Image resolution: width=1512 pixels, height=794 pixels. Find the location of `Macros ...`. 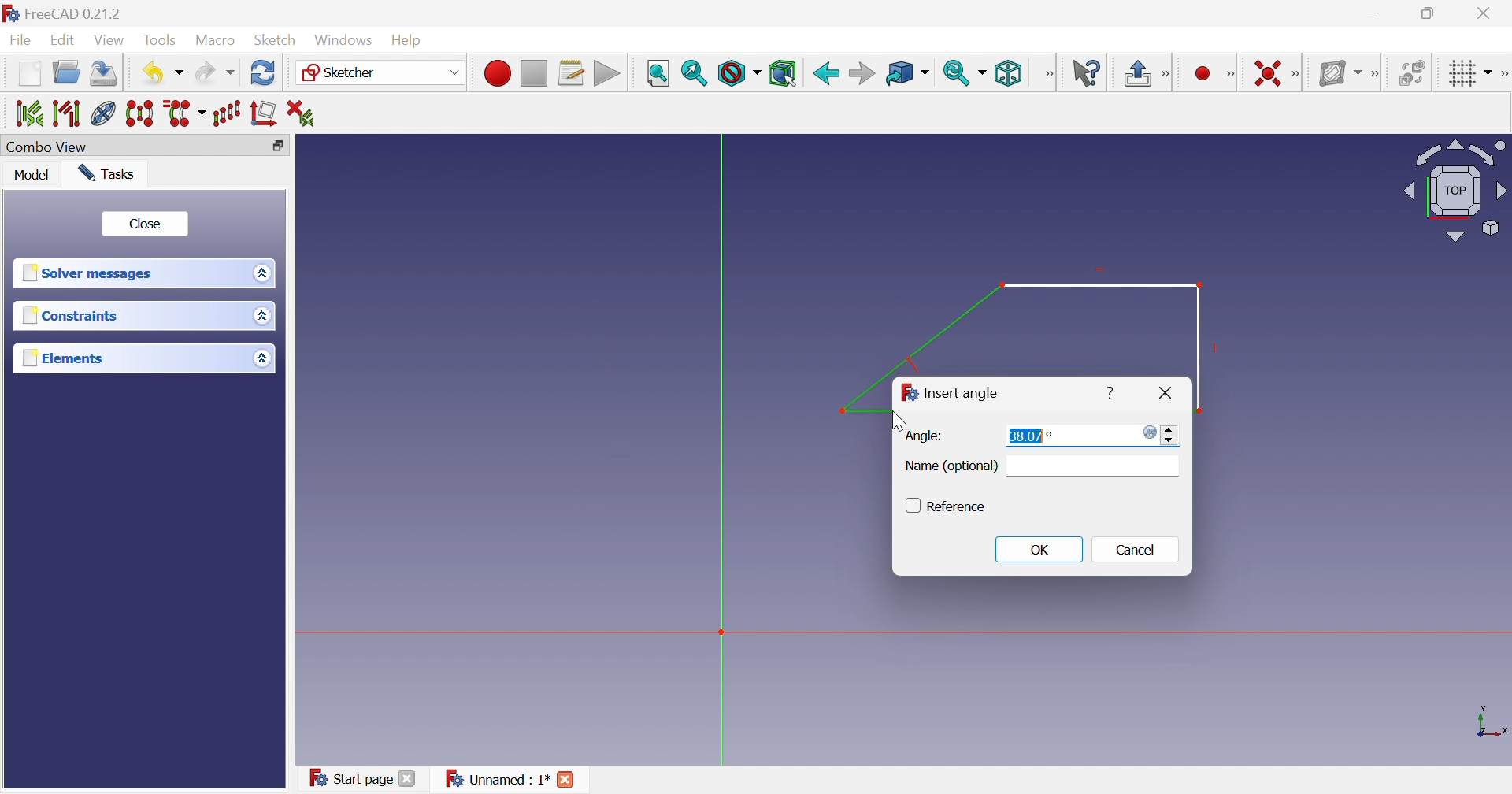

Macros ... is located at coordinates (571, 72).